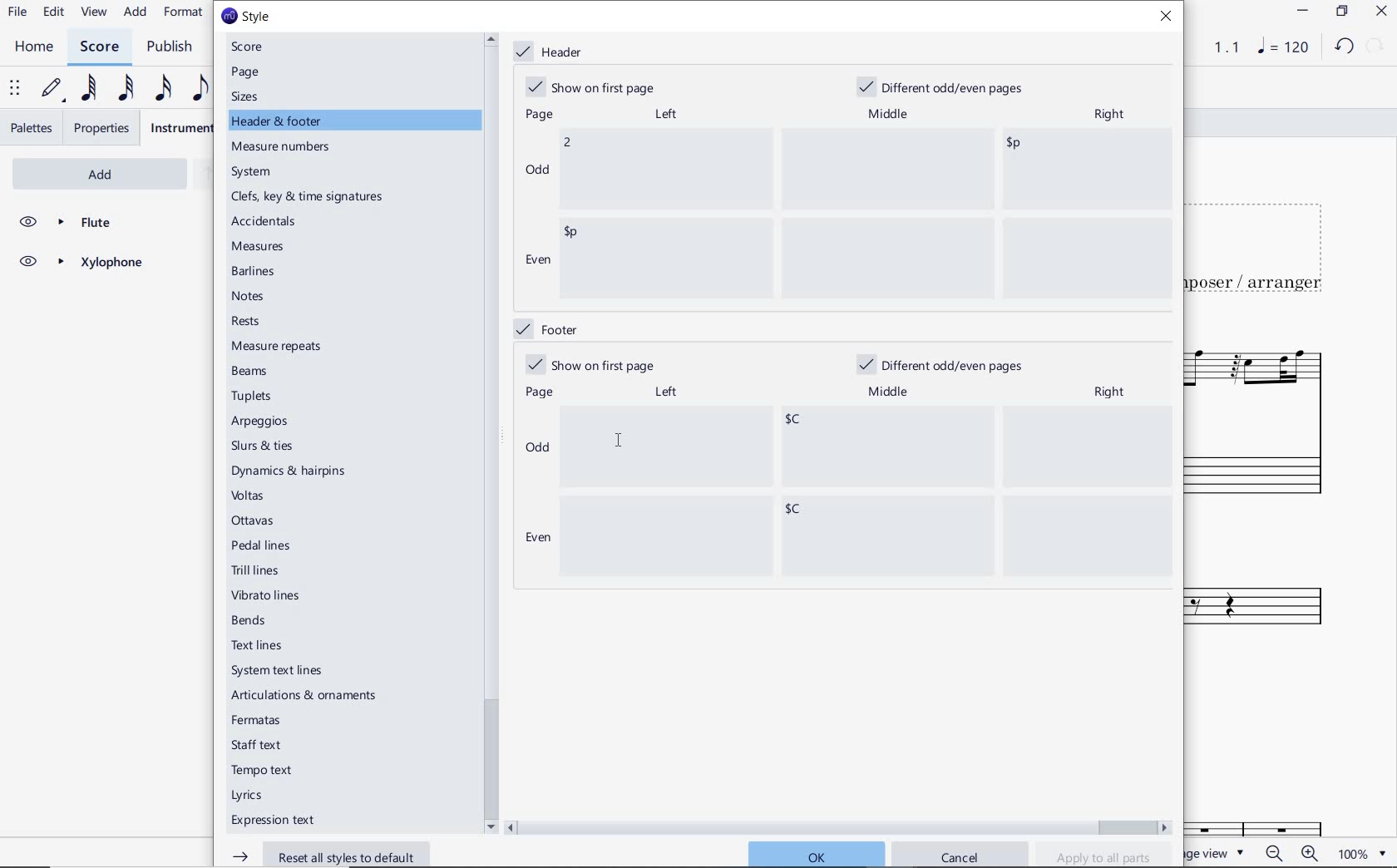 The image size is (1397, 868). Describe the element at coordinates (103, 128) in the screenshot. I see `PROPERTIES` at that location.